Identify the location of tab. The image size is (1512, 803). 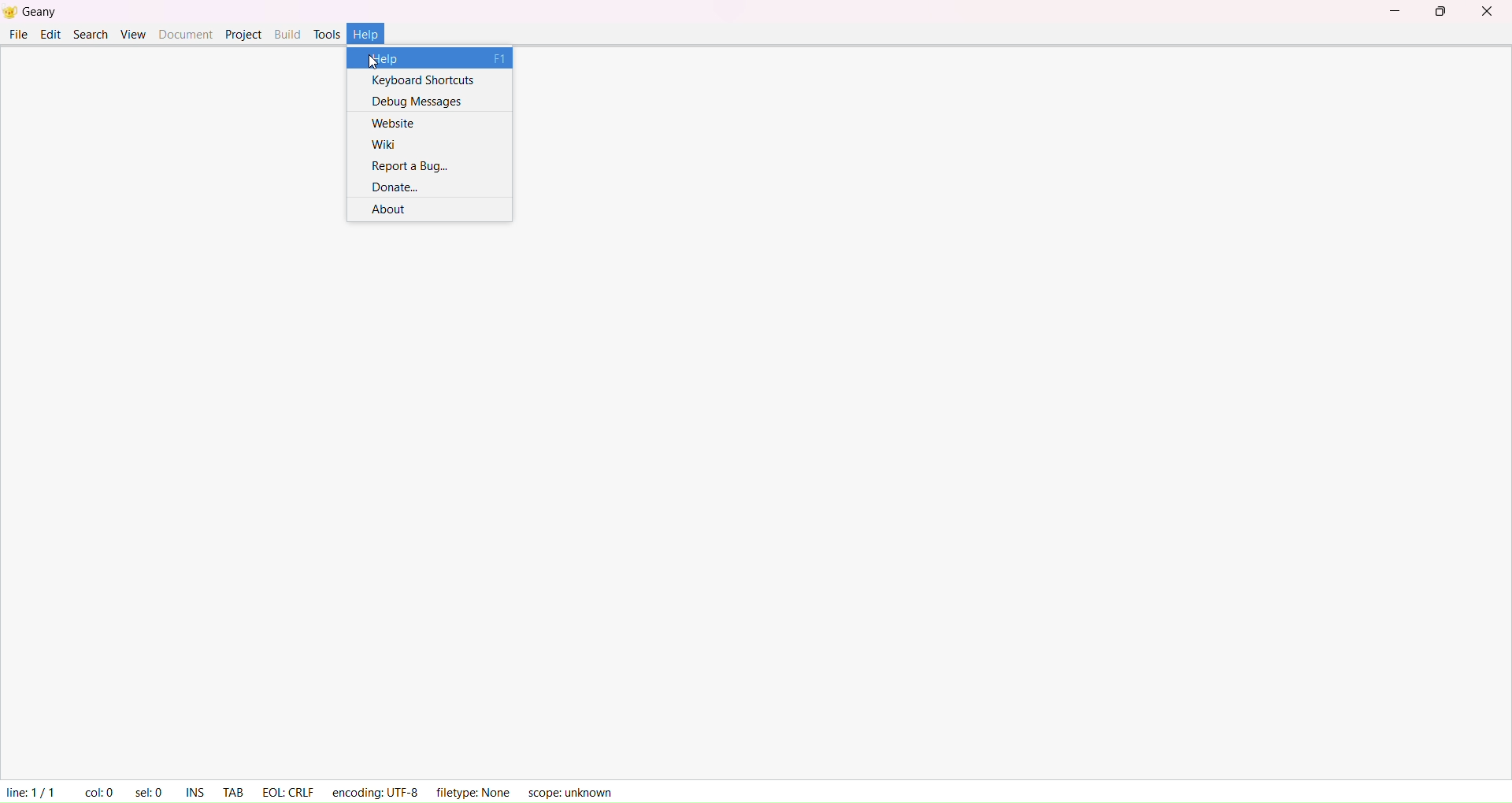
(232, 786).